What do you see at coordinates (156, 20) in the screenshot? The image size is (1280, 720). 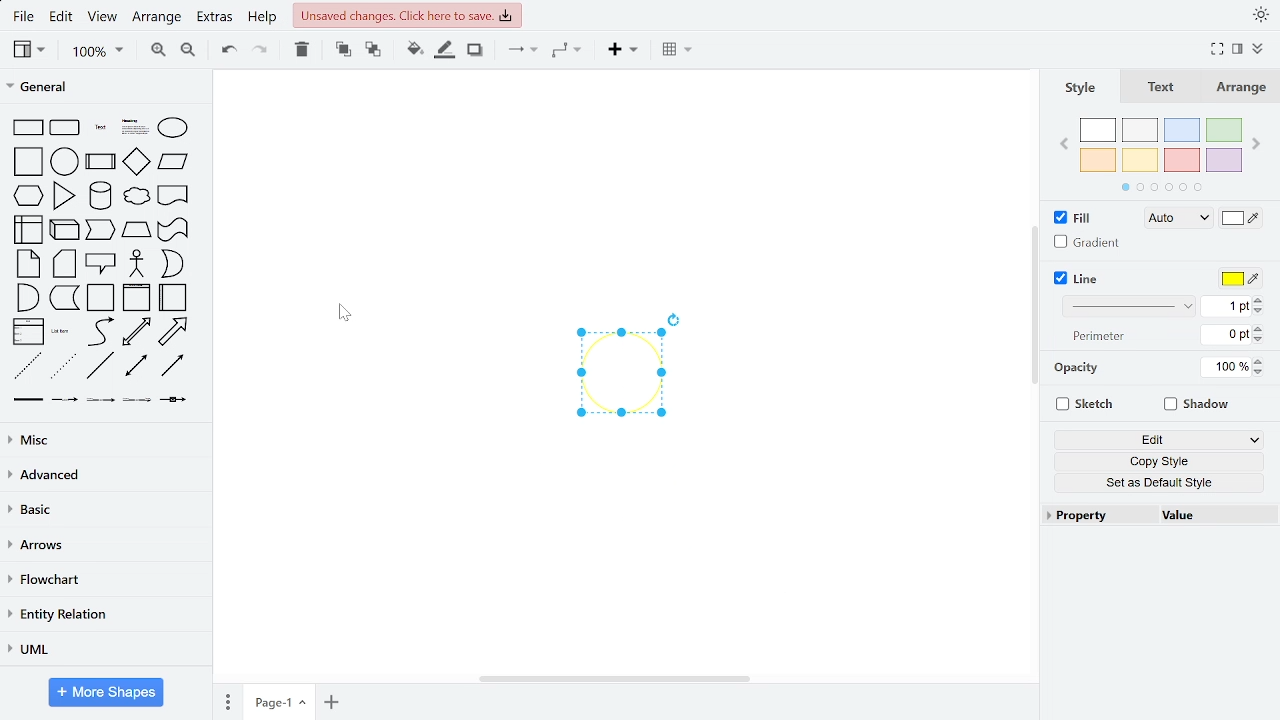 I see `arrange` at bounding box center [156, 20].